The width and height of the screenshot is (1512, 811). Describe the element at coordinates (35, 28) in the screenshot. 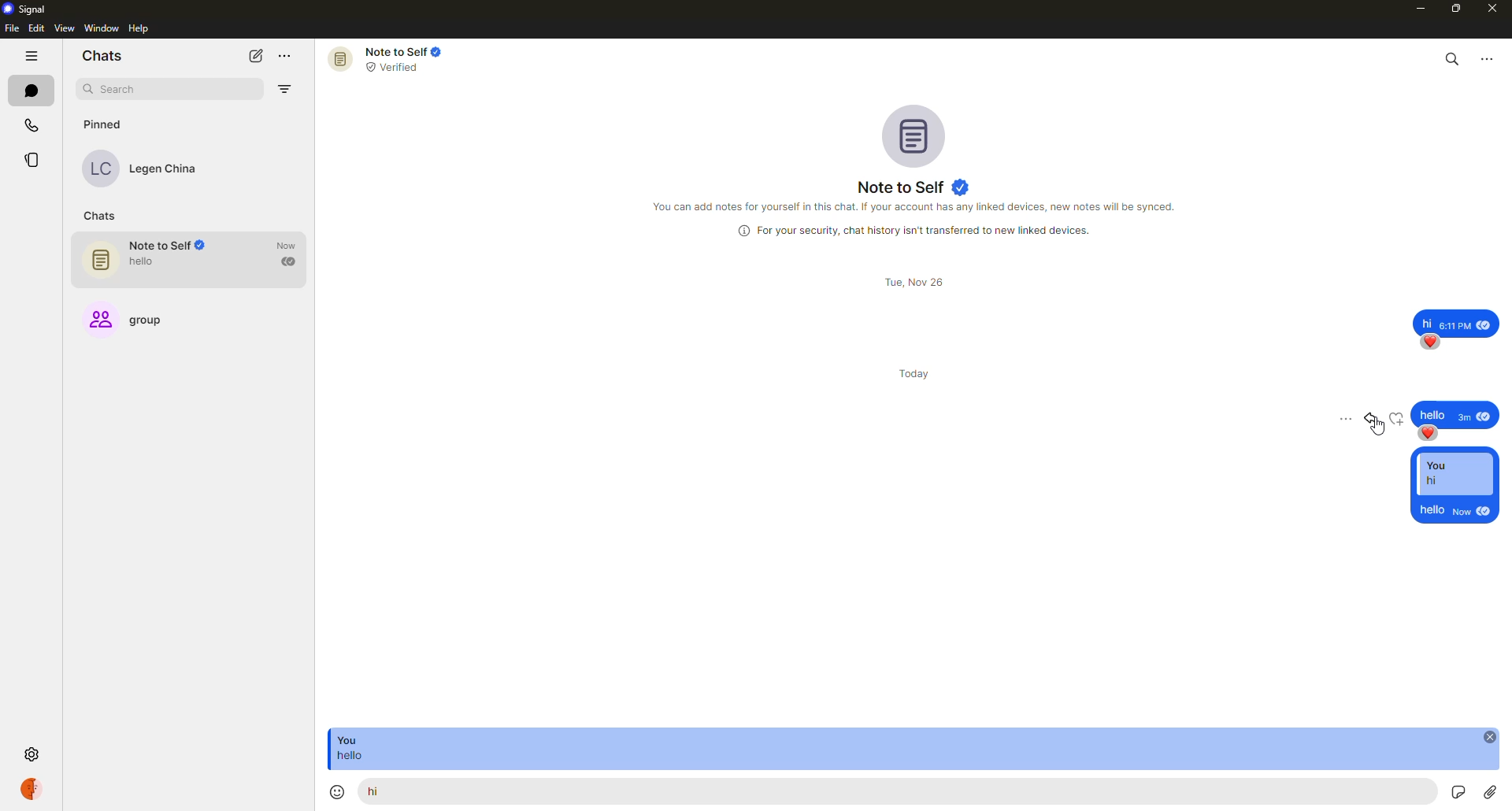

I see `edit` at that location.